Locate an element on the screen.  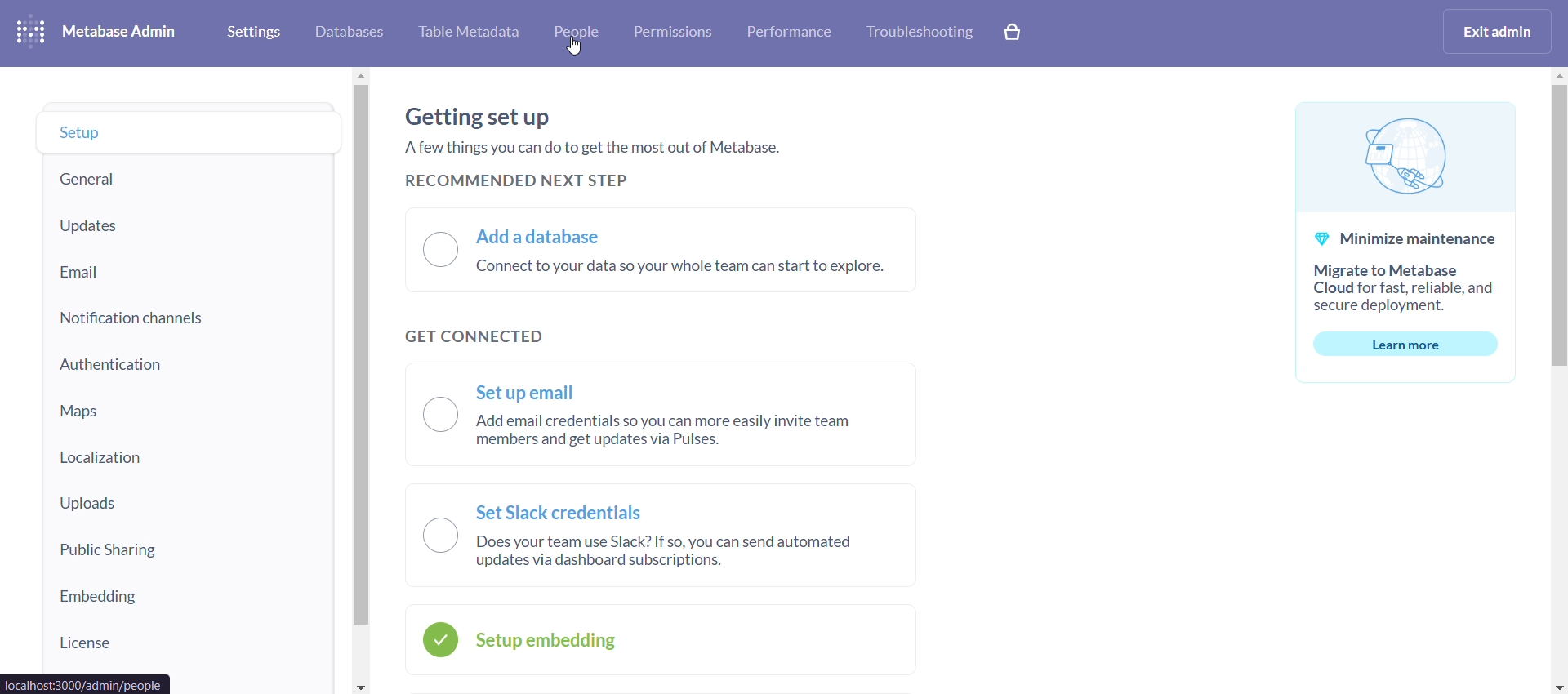
database is located at coordinates (346, 33).